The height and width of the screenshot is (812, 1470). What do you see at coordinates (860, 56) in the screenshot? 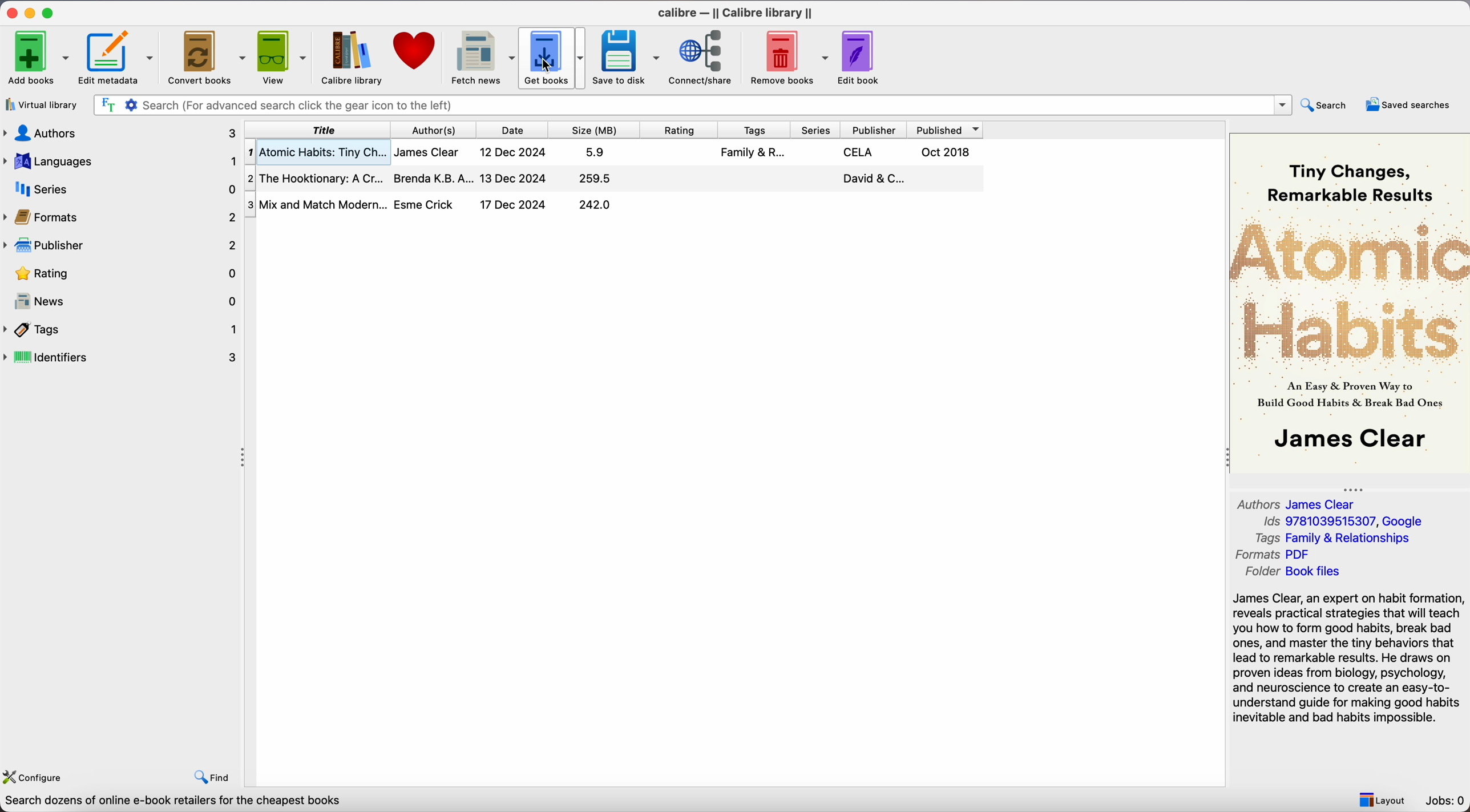
I see `edit book` at bounding box center [860, 56].